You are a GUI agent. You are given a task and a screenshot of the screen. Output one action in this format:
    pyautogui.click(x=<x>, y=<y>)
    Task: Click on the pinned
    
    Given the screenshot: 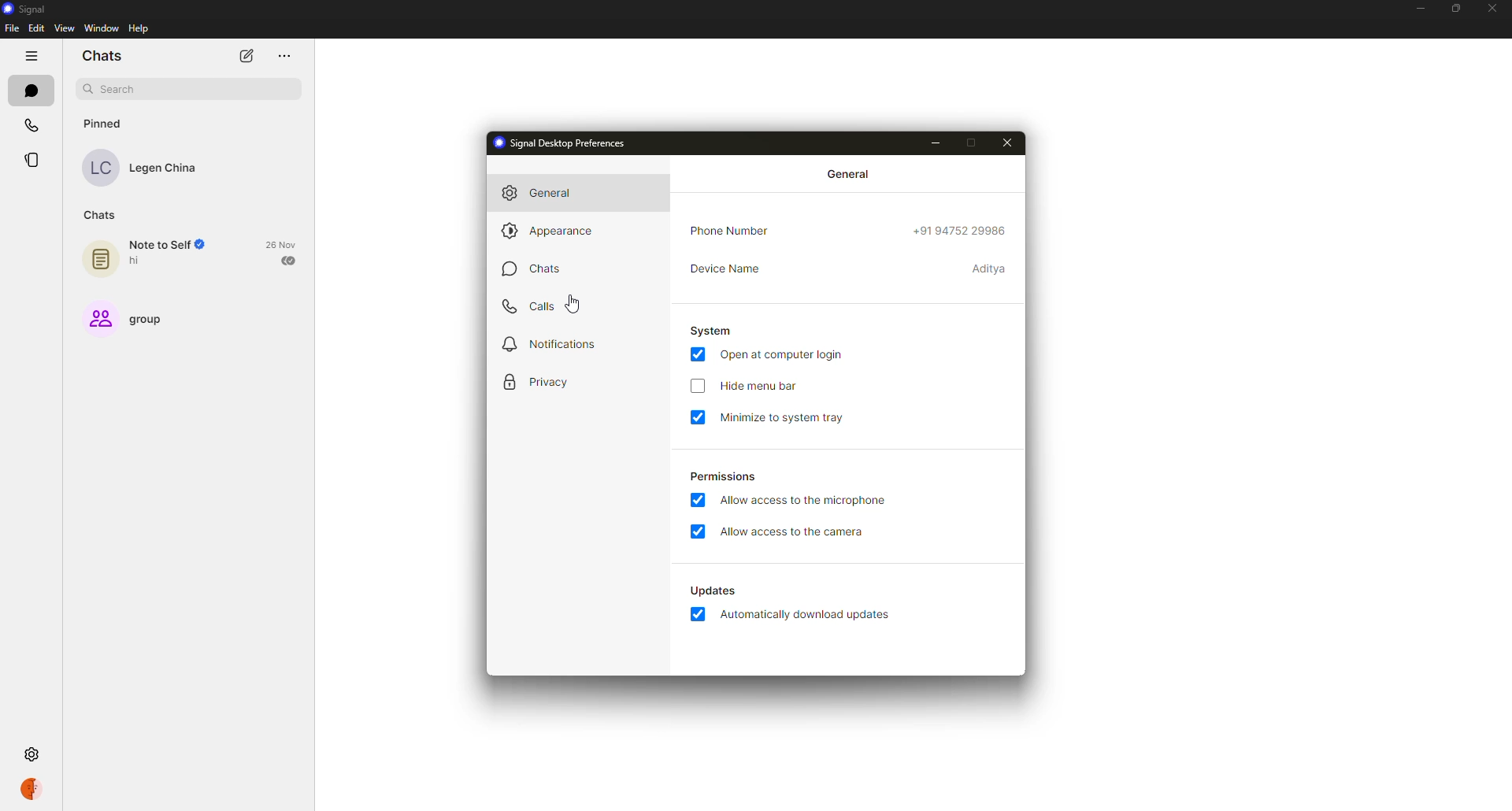 What is the action you would take?
    pyautogui.click(x=106, y=124)
    